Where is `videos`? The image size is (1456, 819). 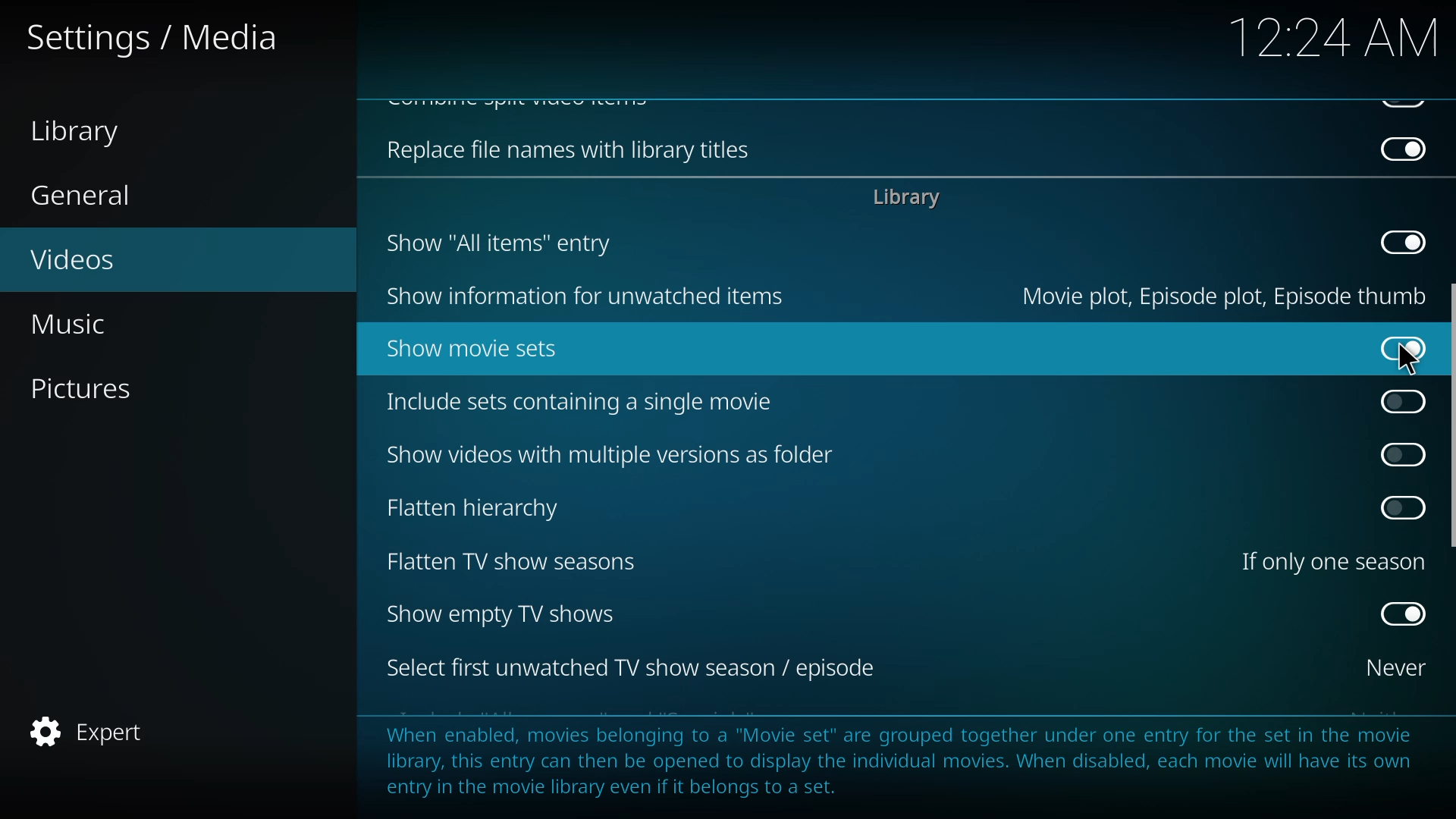 videos is located at coordinates (74, 260).